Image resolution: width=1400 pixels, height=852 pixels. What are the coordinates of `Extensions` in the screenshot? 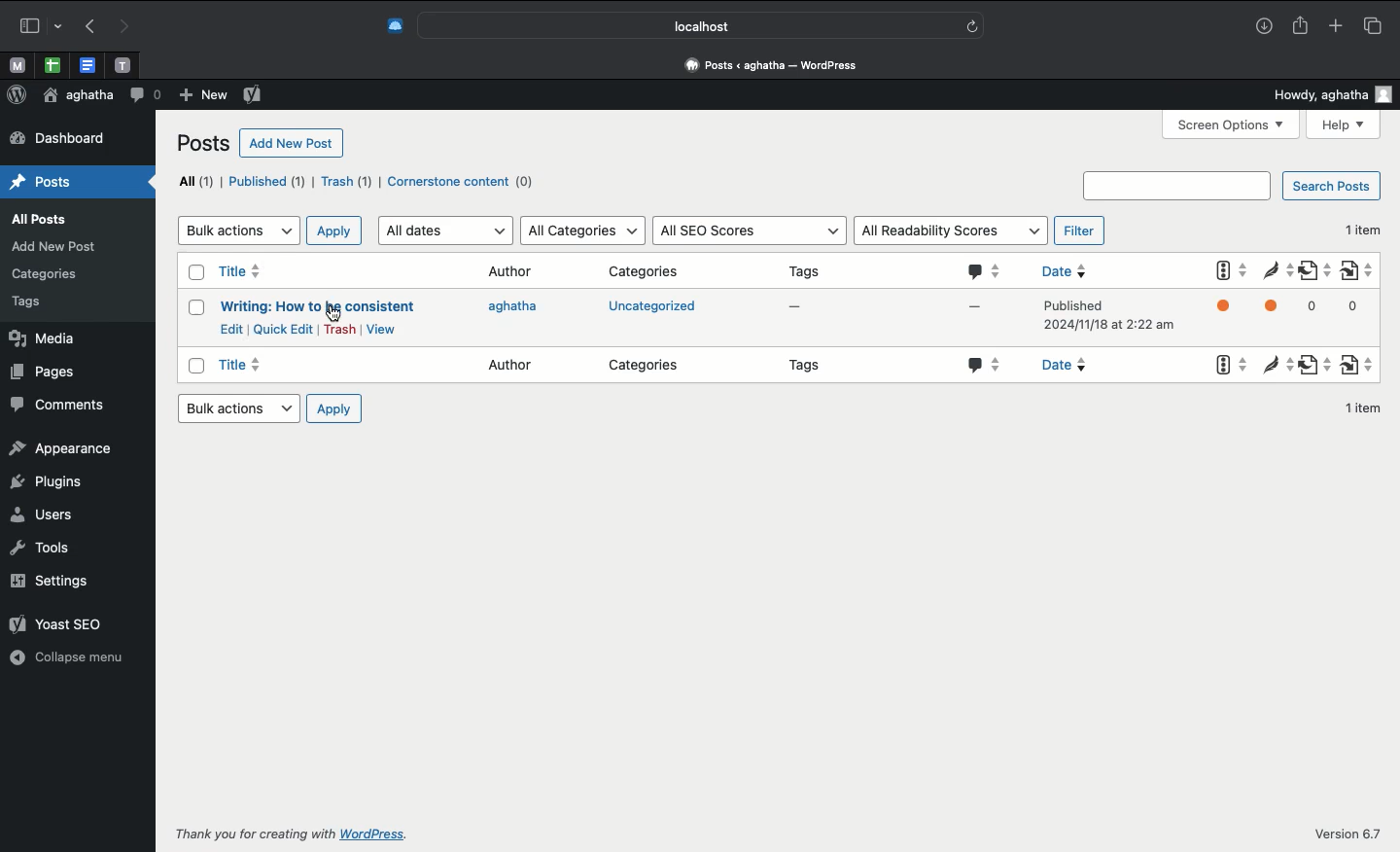 It's located at (384, 27).